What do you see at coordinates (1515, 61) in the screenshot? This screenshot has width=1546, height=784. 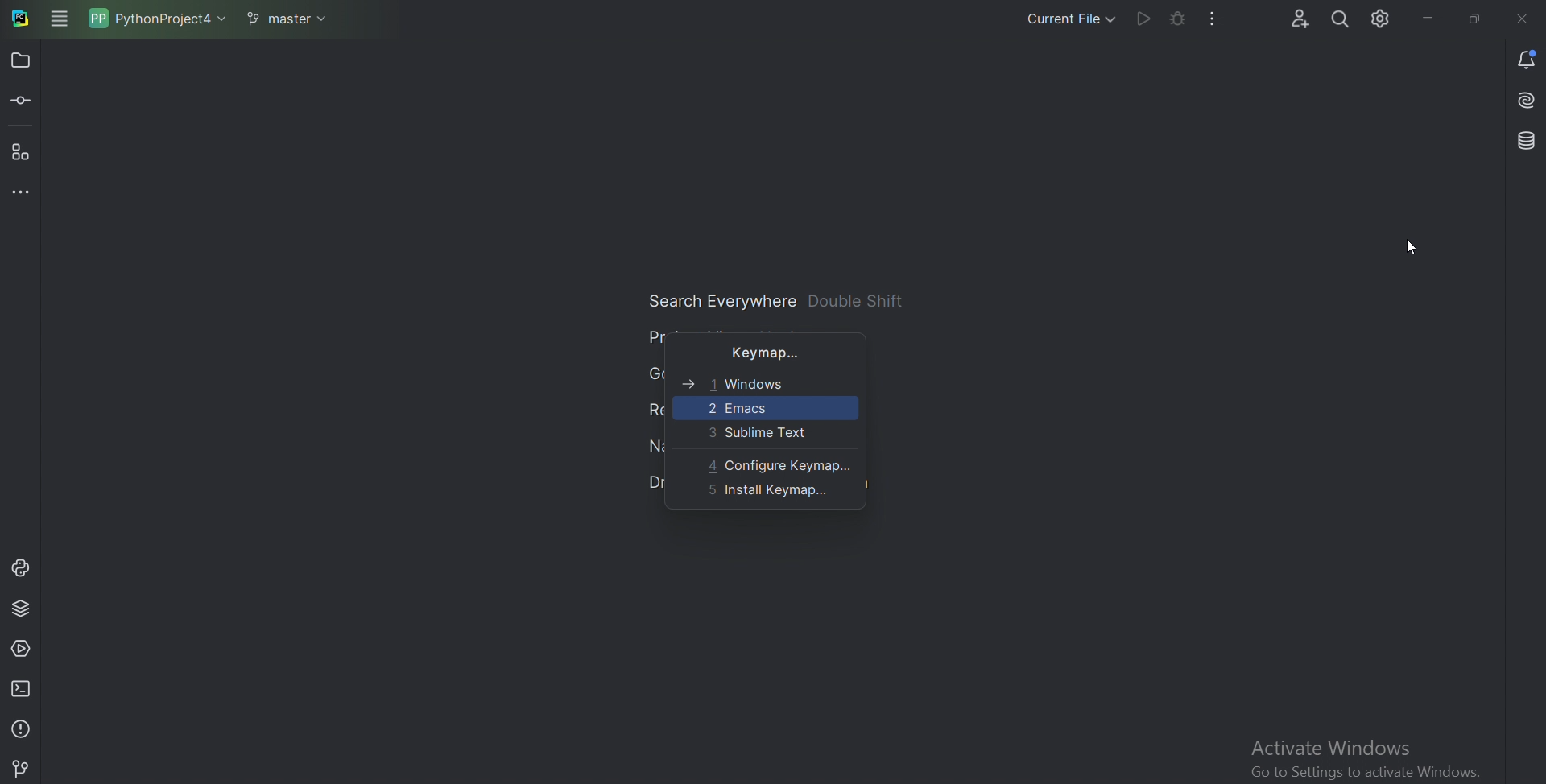 I see `Notifications` at bounding box center [1515, 61].